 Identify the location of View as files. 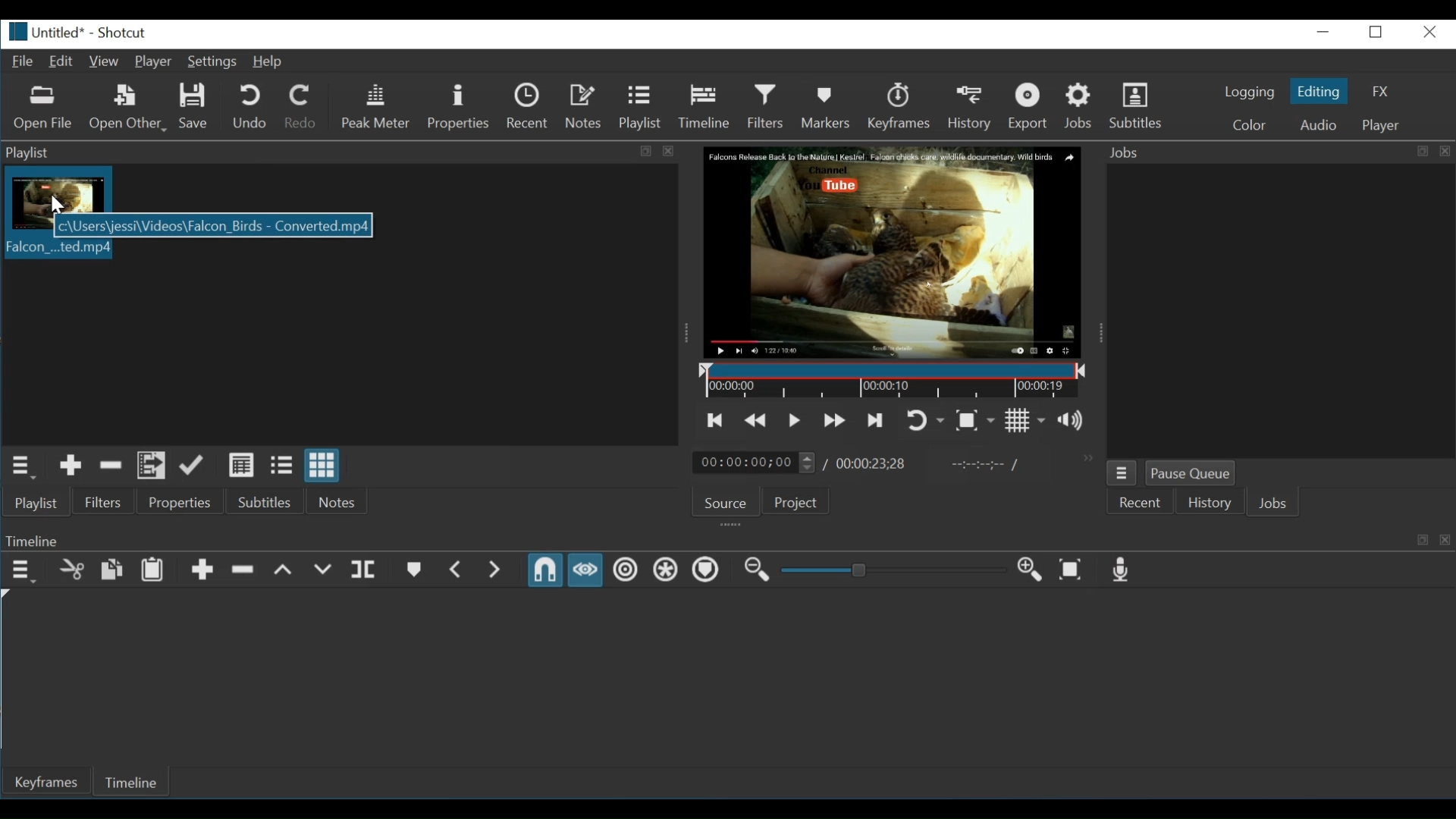
(281, 466).